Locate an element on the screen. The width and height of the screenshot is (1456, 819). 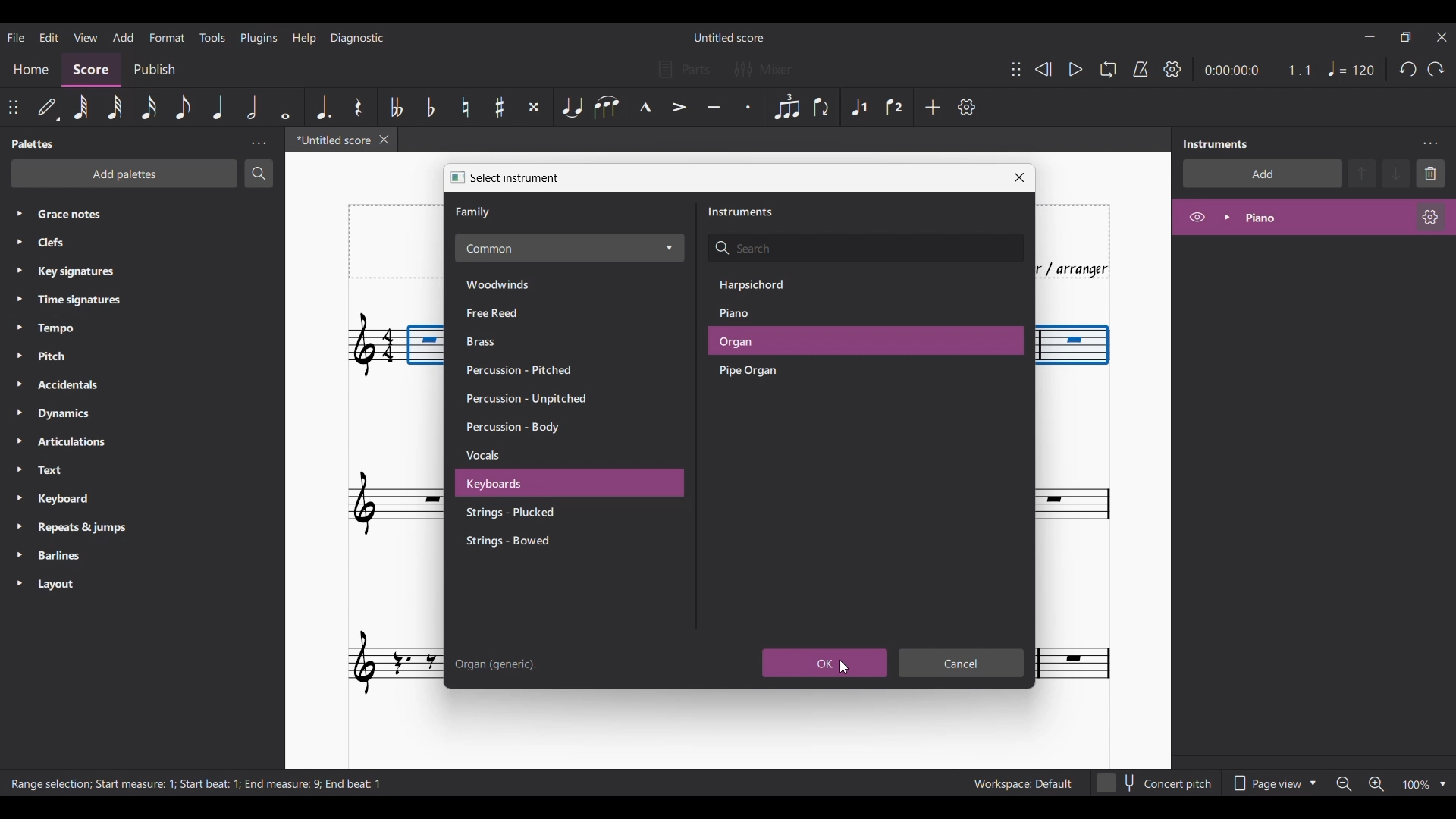
Accent is located at coordinates (678, 107).